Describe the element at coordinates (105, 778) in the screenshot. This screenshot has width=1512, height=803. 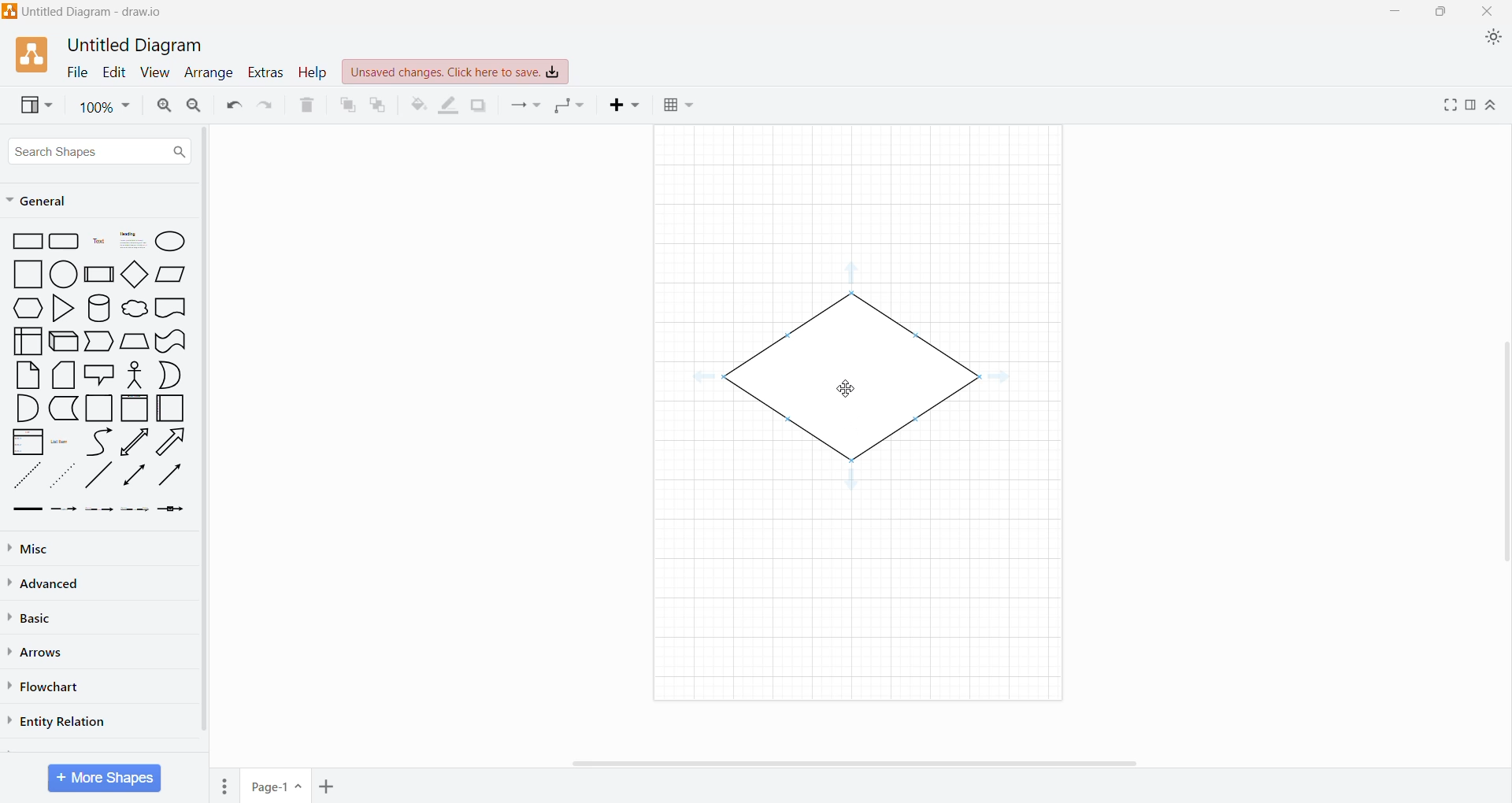
I see `More Shapes` at that location.